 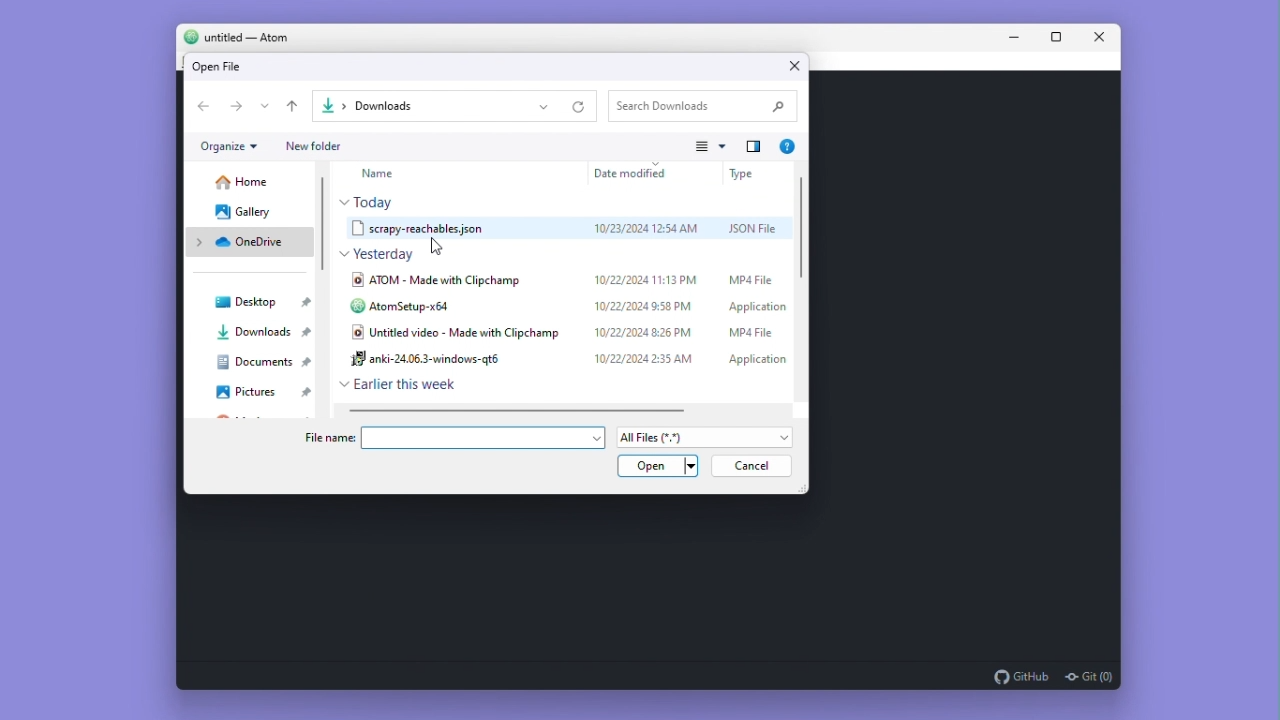 I want to click on Minimise, so click(x=1011, y=36).